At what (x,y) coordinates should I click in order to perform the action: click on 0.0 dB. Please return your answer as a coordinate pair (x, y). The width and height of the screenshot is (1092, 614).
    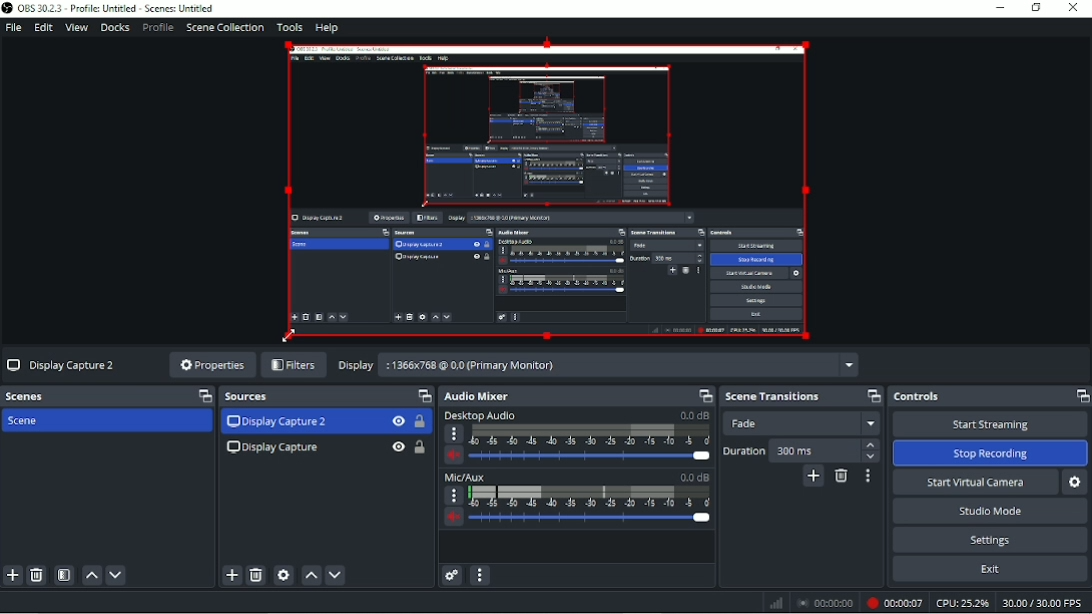
    Looking at the image, I should click on (693, 477).